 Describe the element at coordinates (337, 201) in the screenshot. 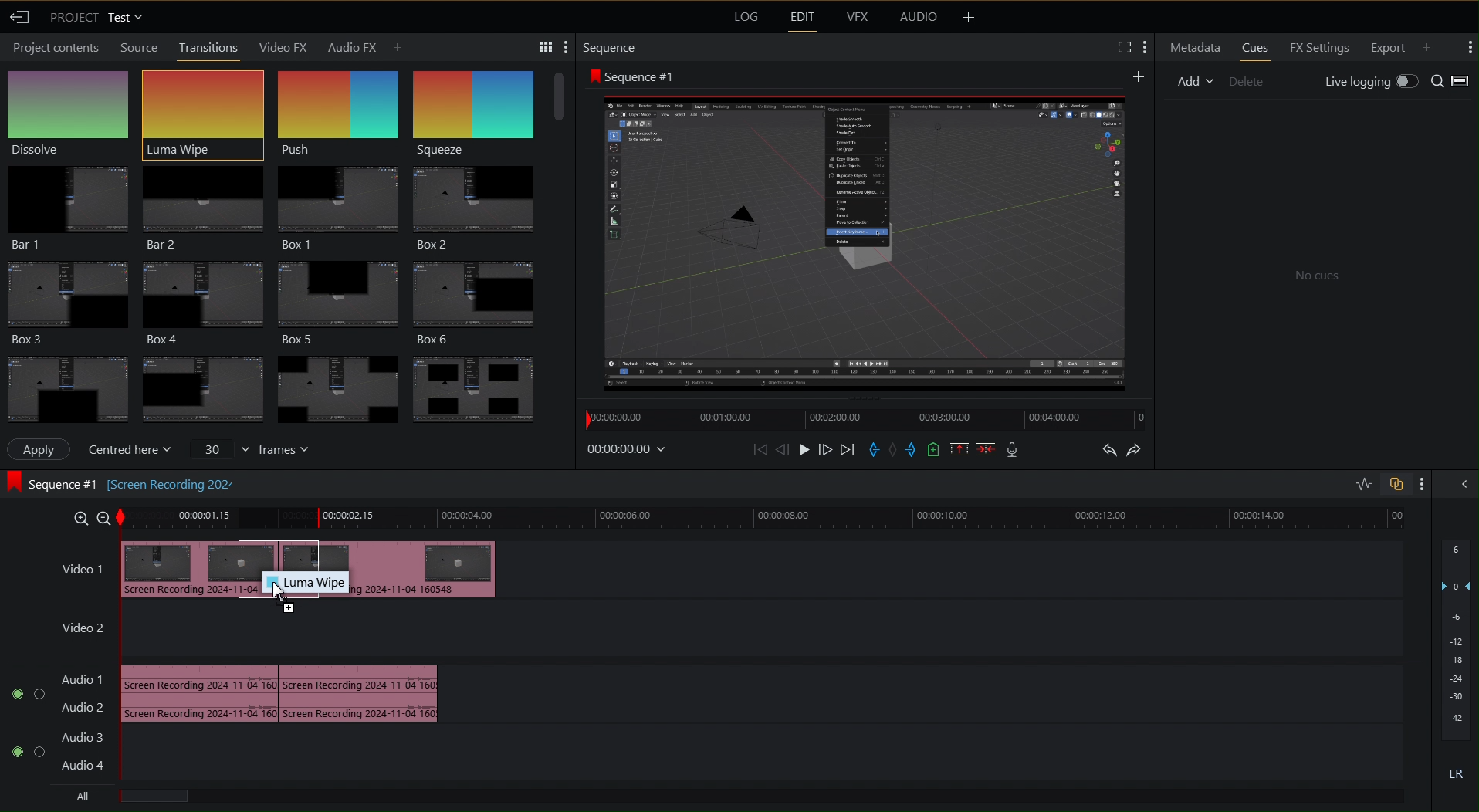

I see `Box 1` at that location.